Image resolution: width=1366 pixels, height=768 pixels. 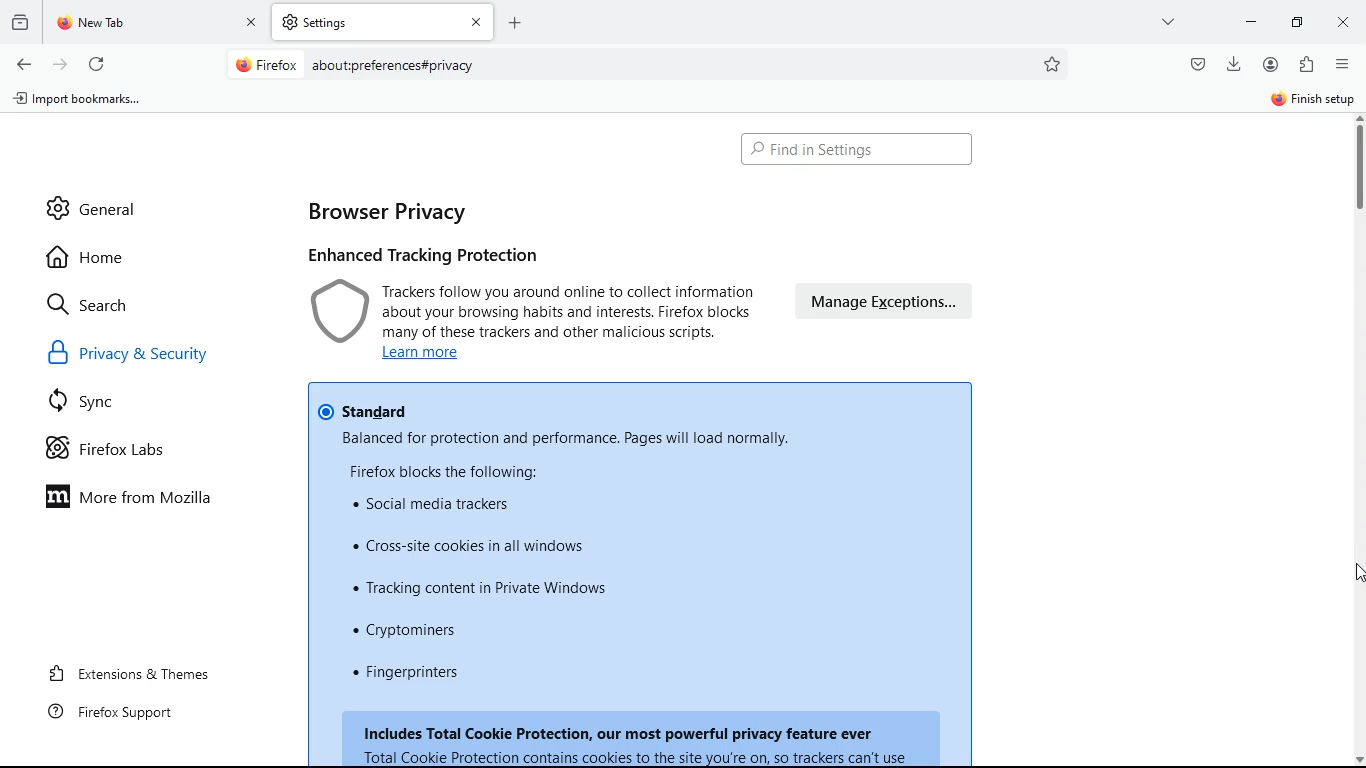 I want to click on Add new Tab, so click(x=515, y=22).